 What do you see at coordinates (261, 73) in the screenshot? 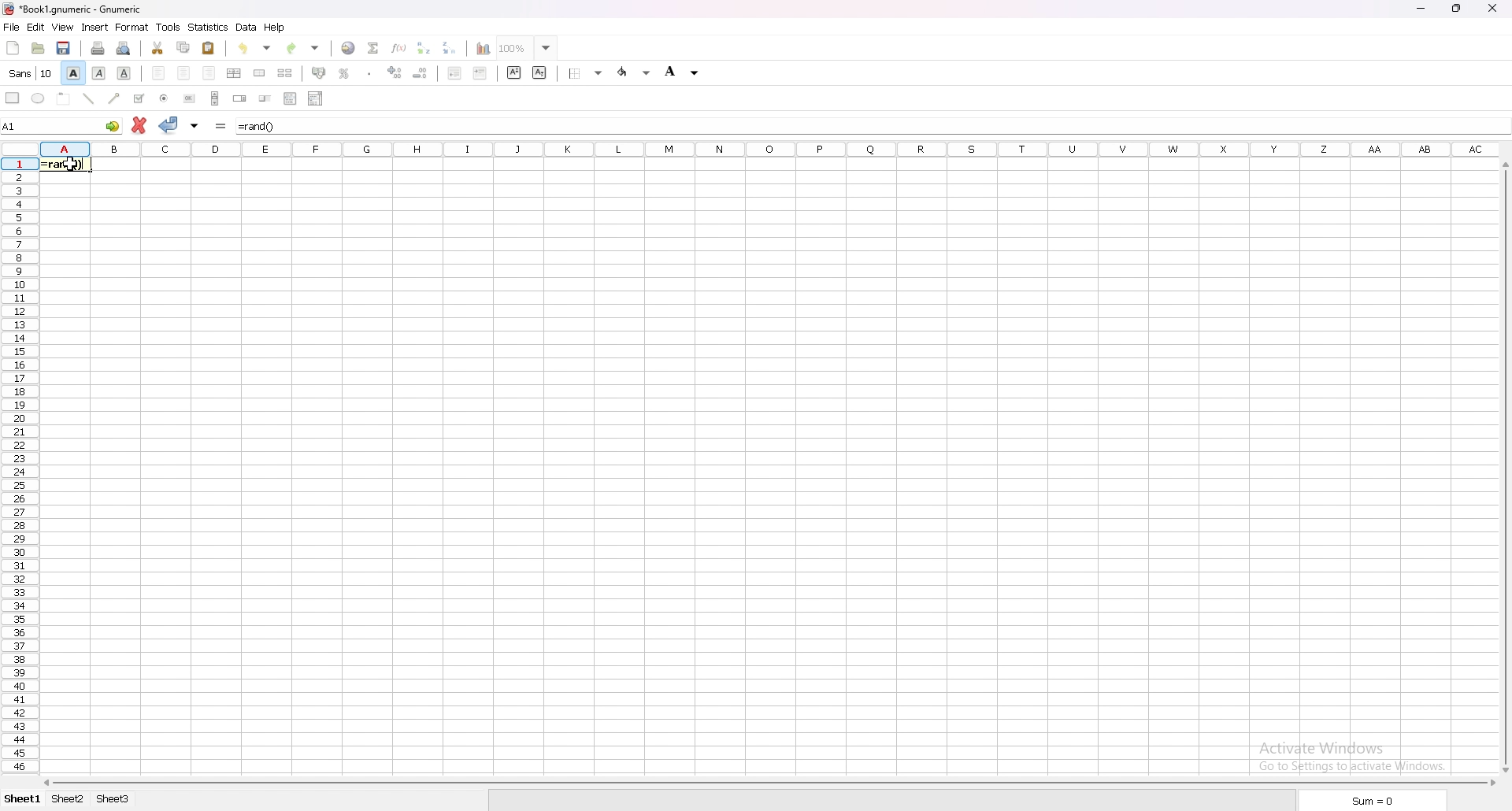
I see `merge cells` at bounding box center [261, 73].